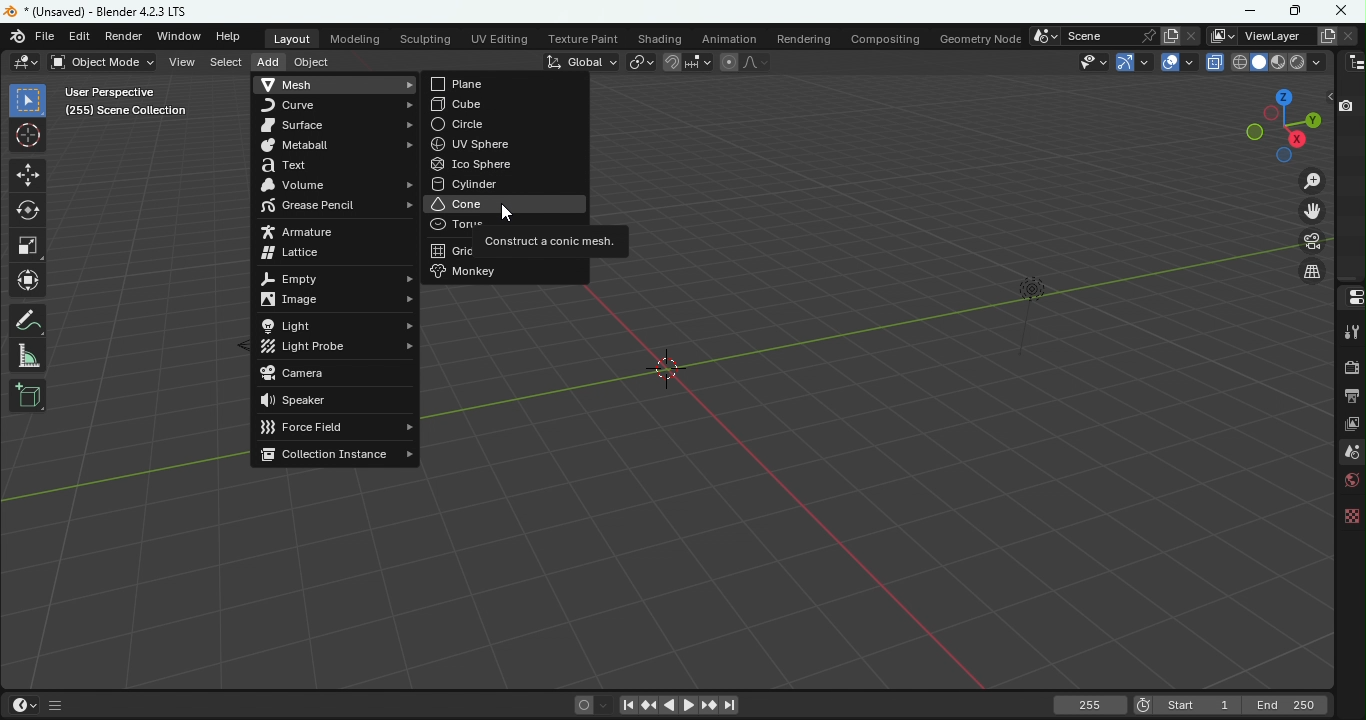 The width and height of the screenshot is (1366, 720). I want to click on use preview range, so click(1144, 707).